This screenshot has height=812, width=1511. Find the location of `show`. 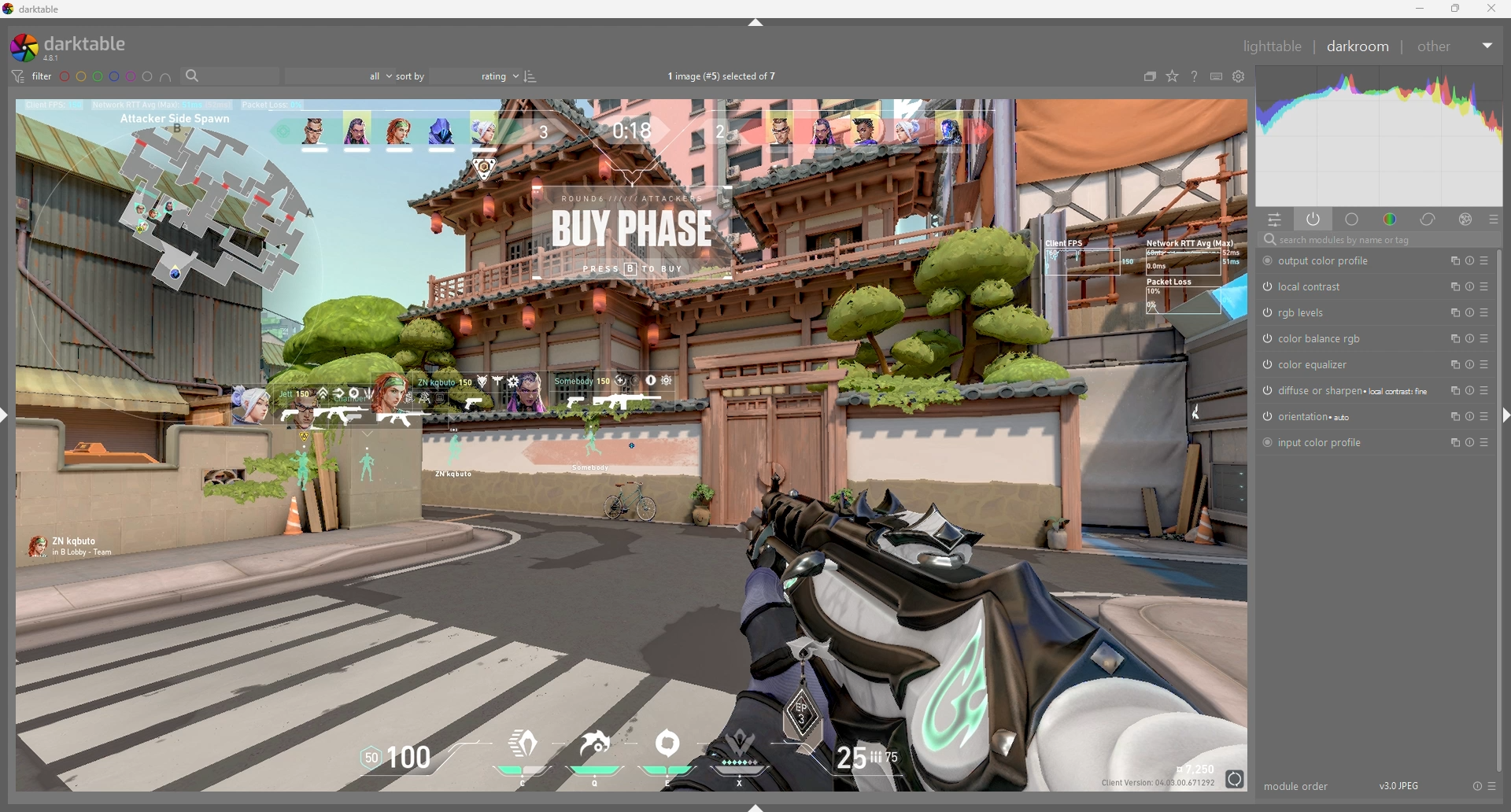

show is located at coordinates (756, 808).